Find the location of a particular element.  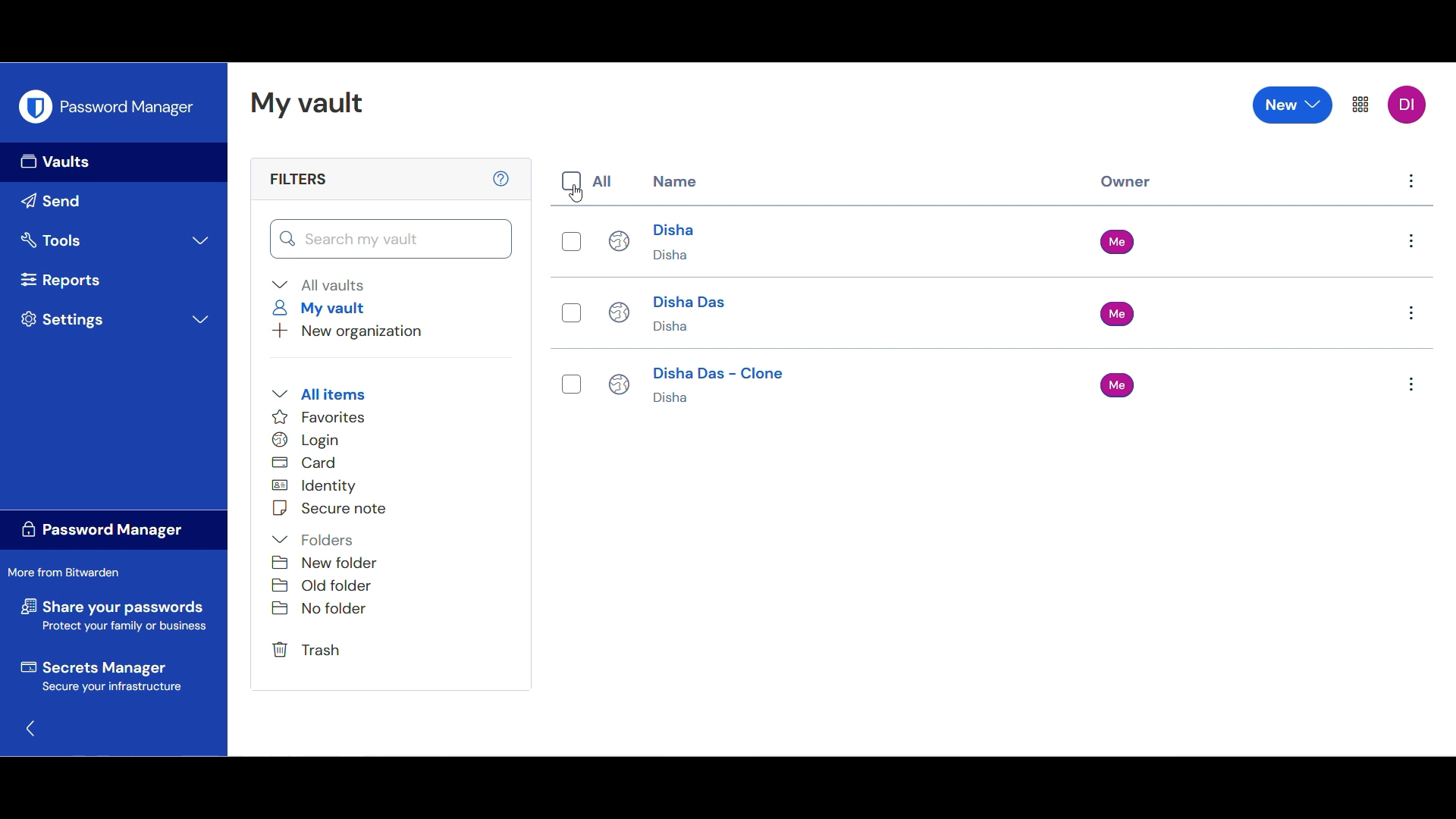

My vault is located at coordinates (306, 104).